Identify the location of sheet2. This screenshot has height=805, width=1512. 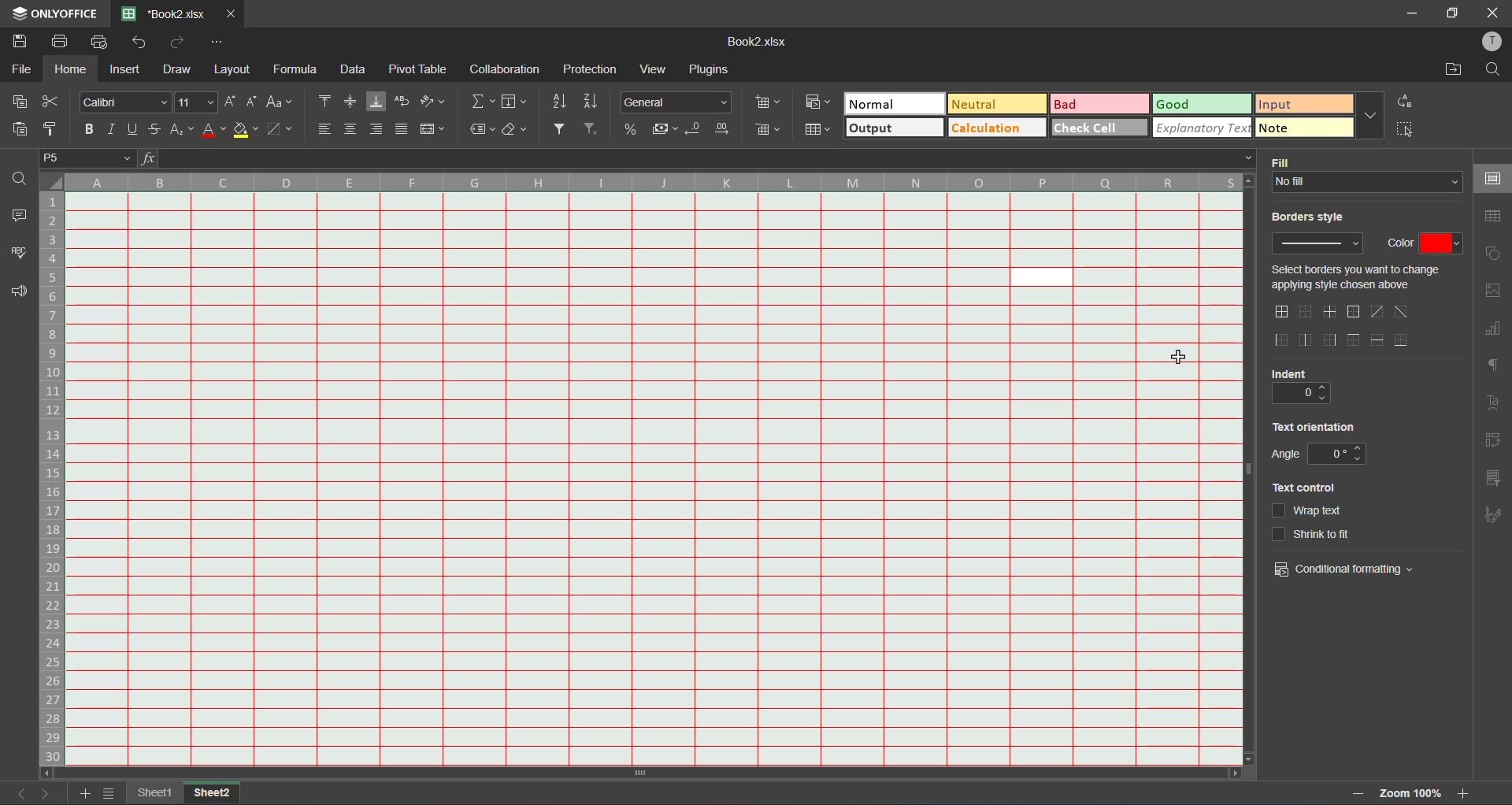
(211, 792).